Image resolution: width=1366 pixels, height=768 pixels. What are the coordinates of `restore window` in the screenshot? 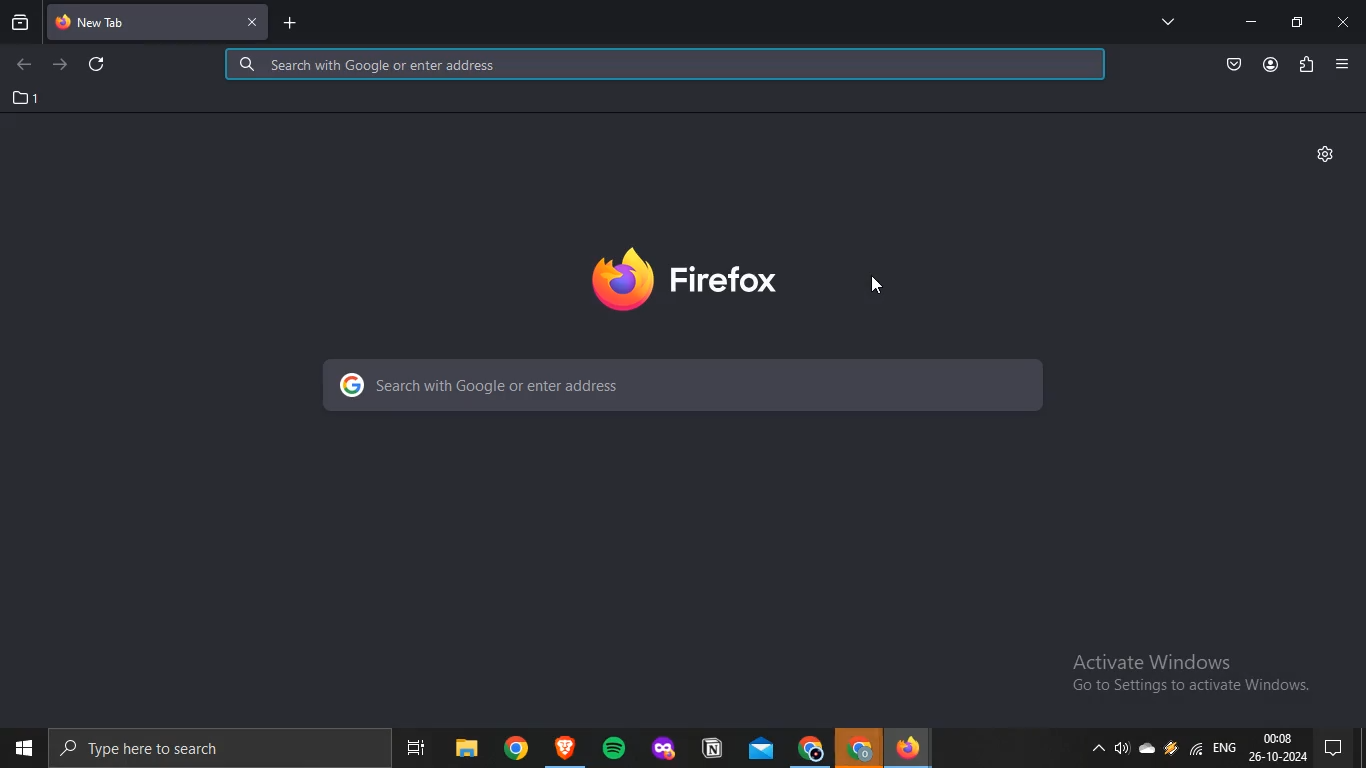 It's located at (1298, 23).